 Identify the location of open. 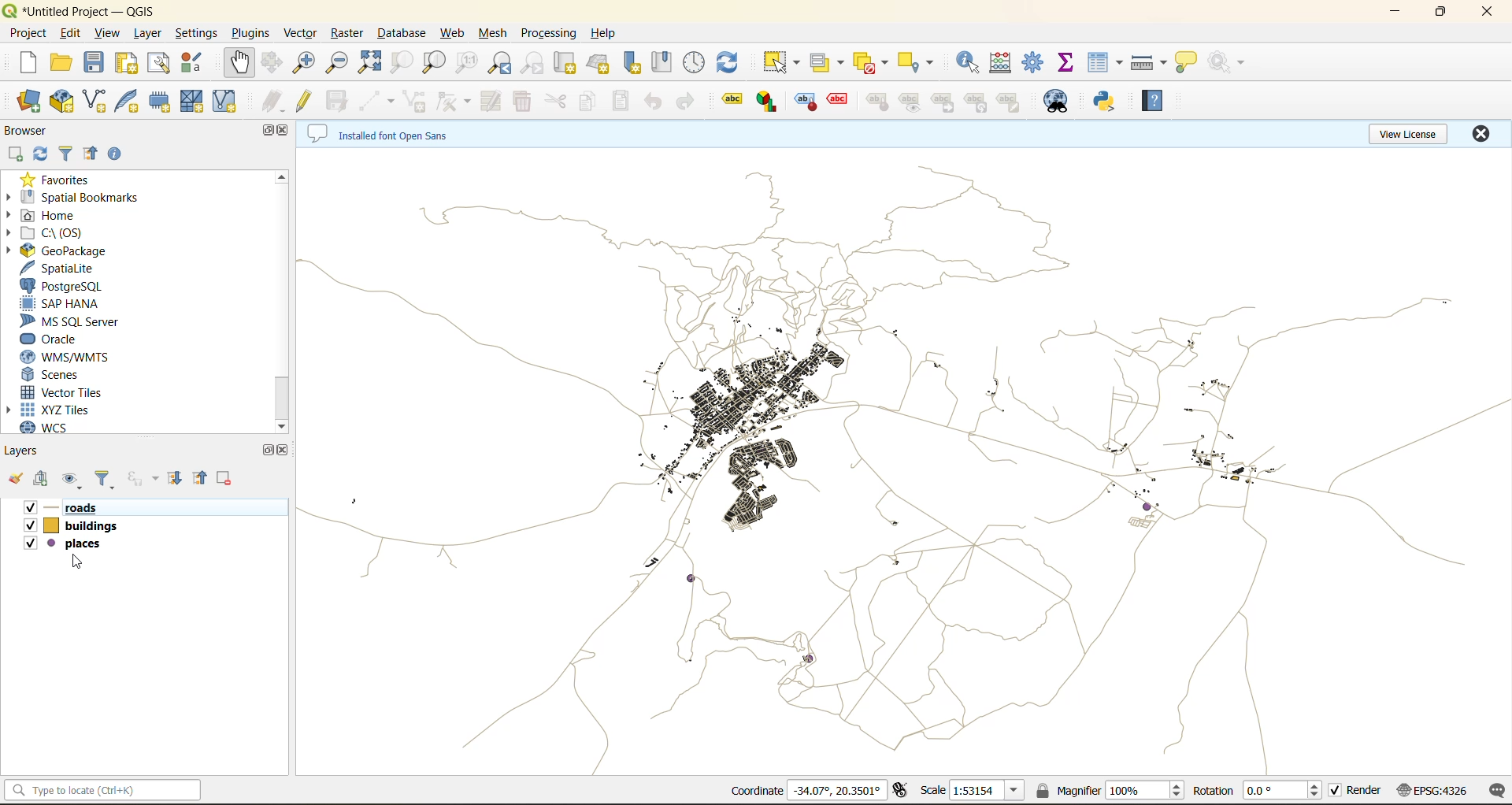
(17, 480).